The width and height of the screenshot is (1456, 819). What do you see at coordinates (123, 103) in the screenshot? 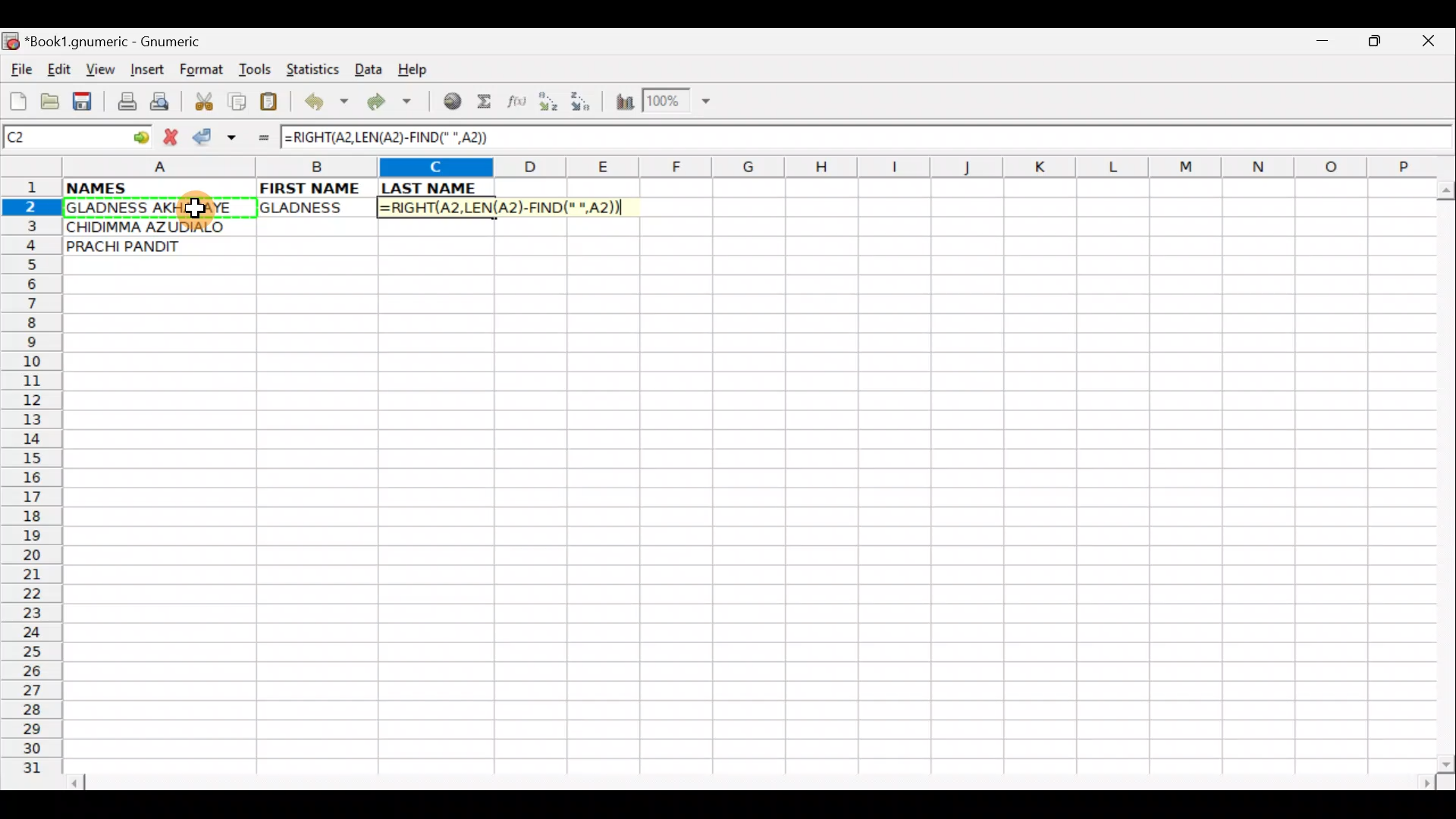
I see `Print file` at bounding box center [123, 103].